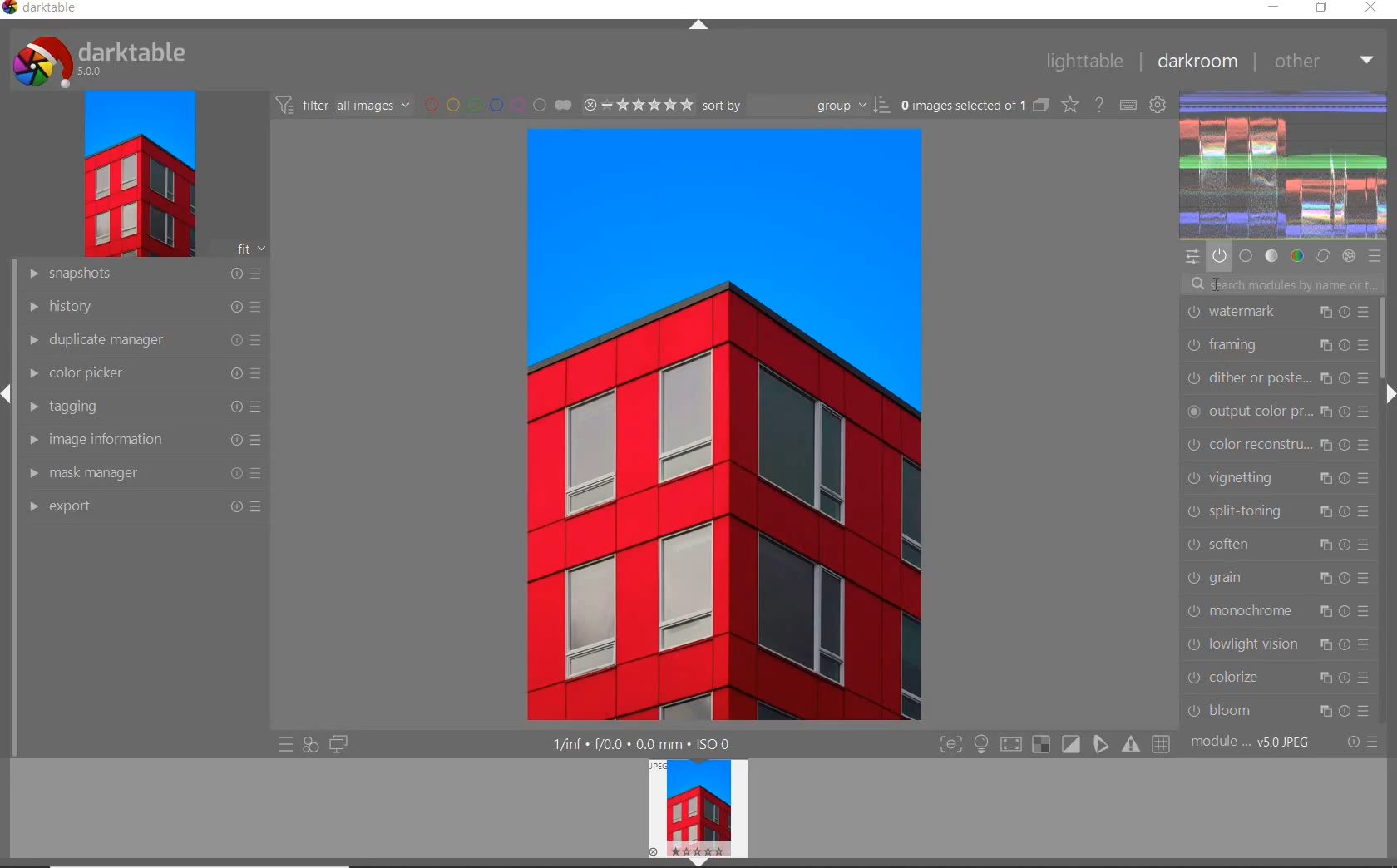 This screenshot has height=868, width=1397. Describe the element at coordinates (1219, 255) in the screenshot. I see `show only active modules` at that location.